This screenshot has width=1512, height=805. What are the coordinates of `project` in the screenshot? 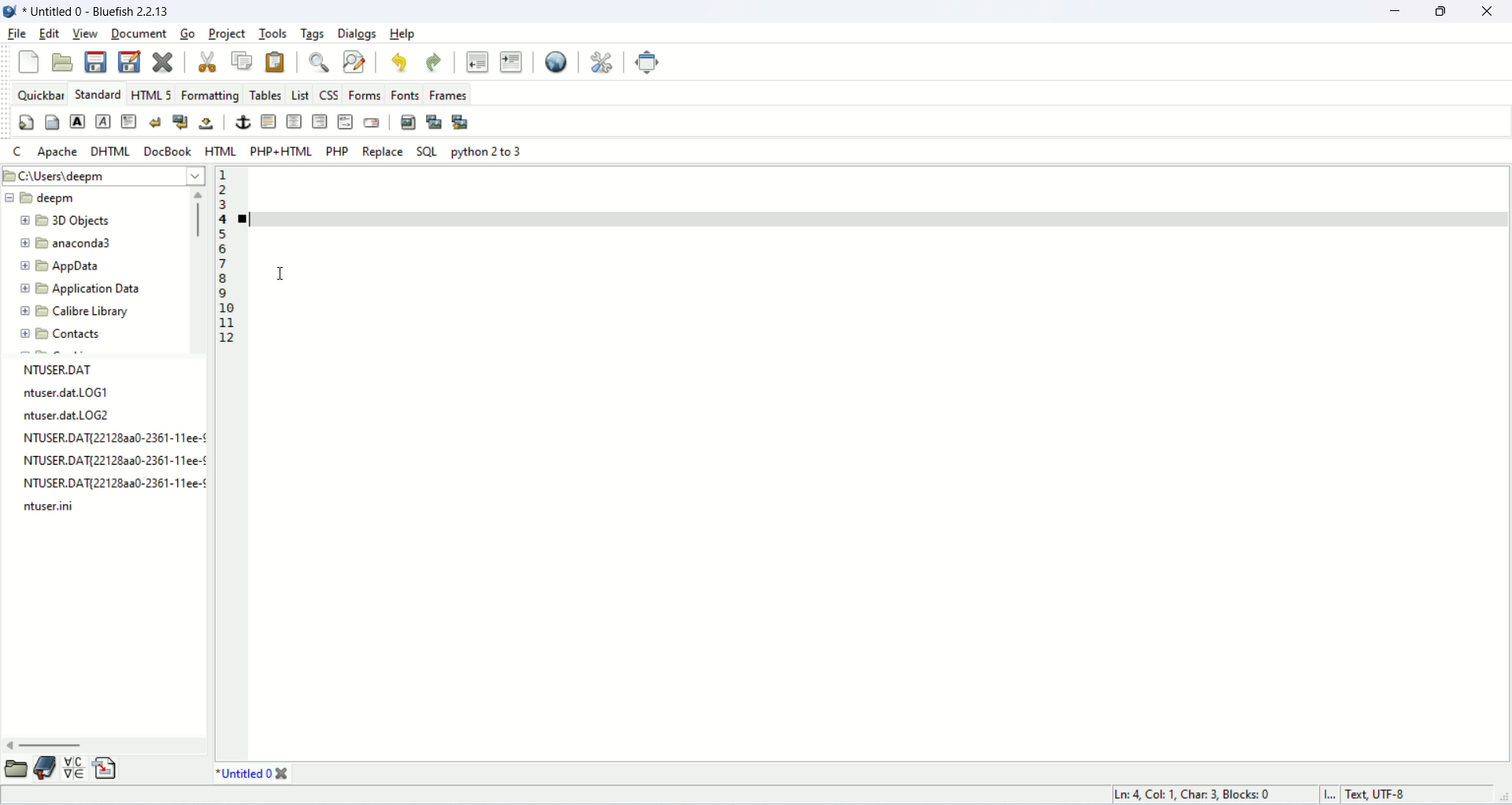 It's located at (225, 33).